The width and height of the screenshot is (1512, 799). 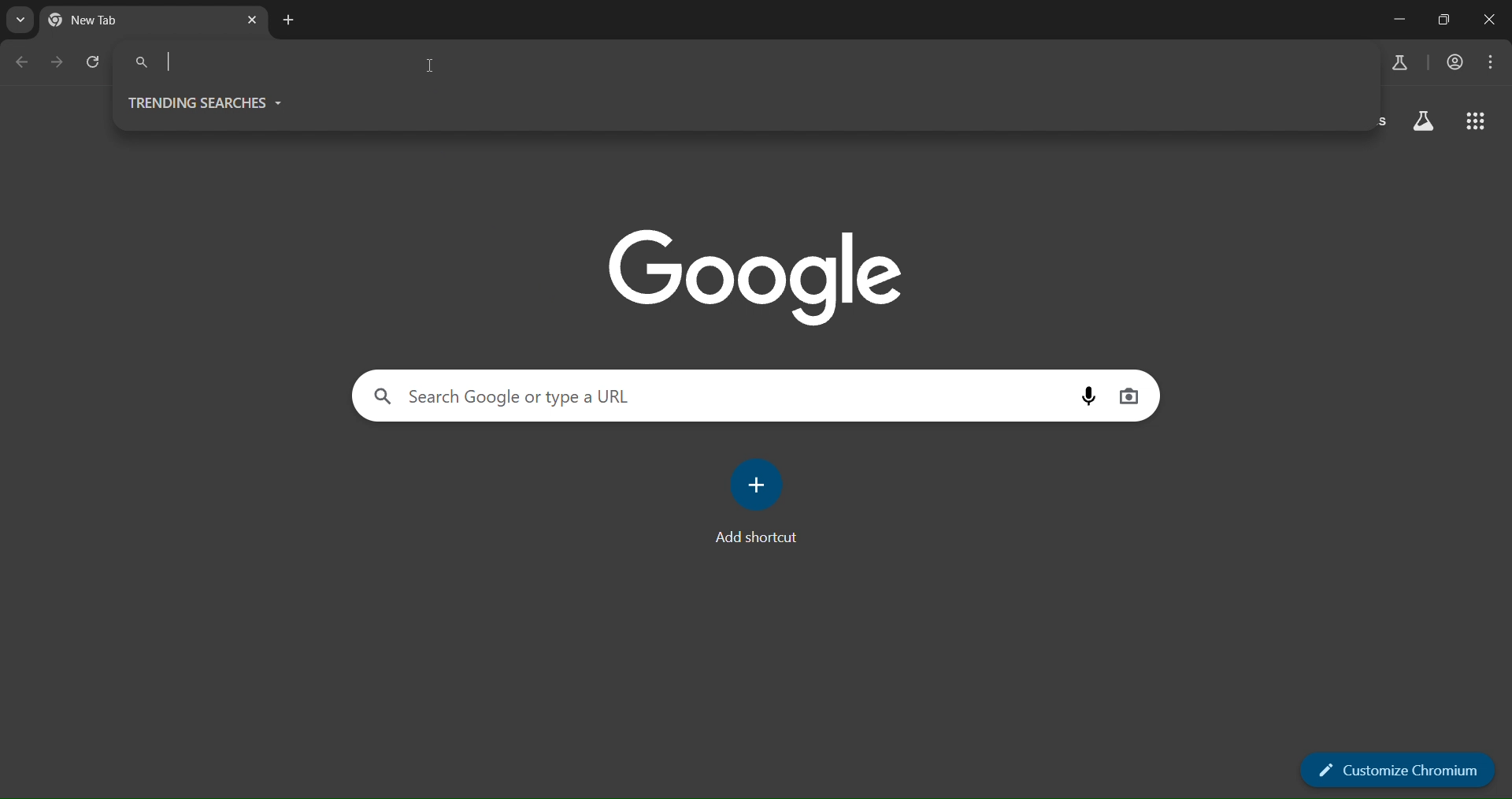 What do you see at coordinates (251, 22) in the screenshot?
I see `close tab` at bounding box center [251, 22].